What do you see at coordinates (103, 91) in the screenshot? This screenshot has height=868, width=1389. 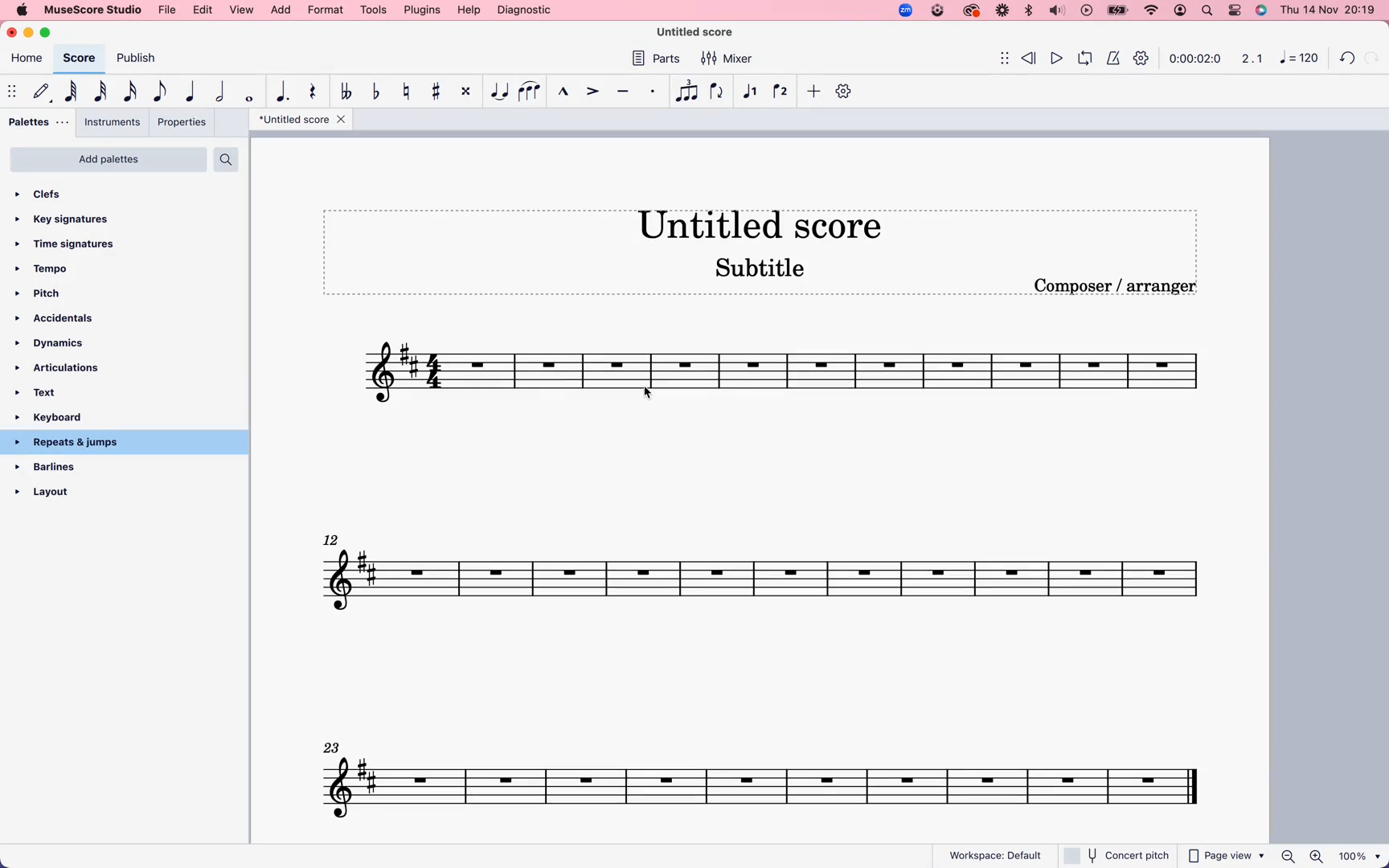 I see `32nd note` at bounding box center [103, 91].